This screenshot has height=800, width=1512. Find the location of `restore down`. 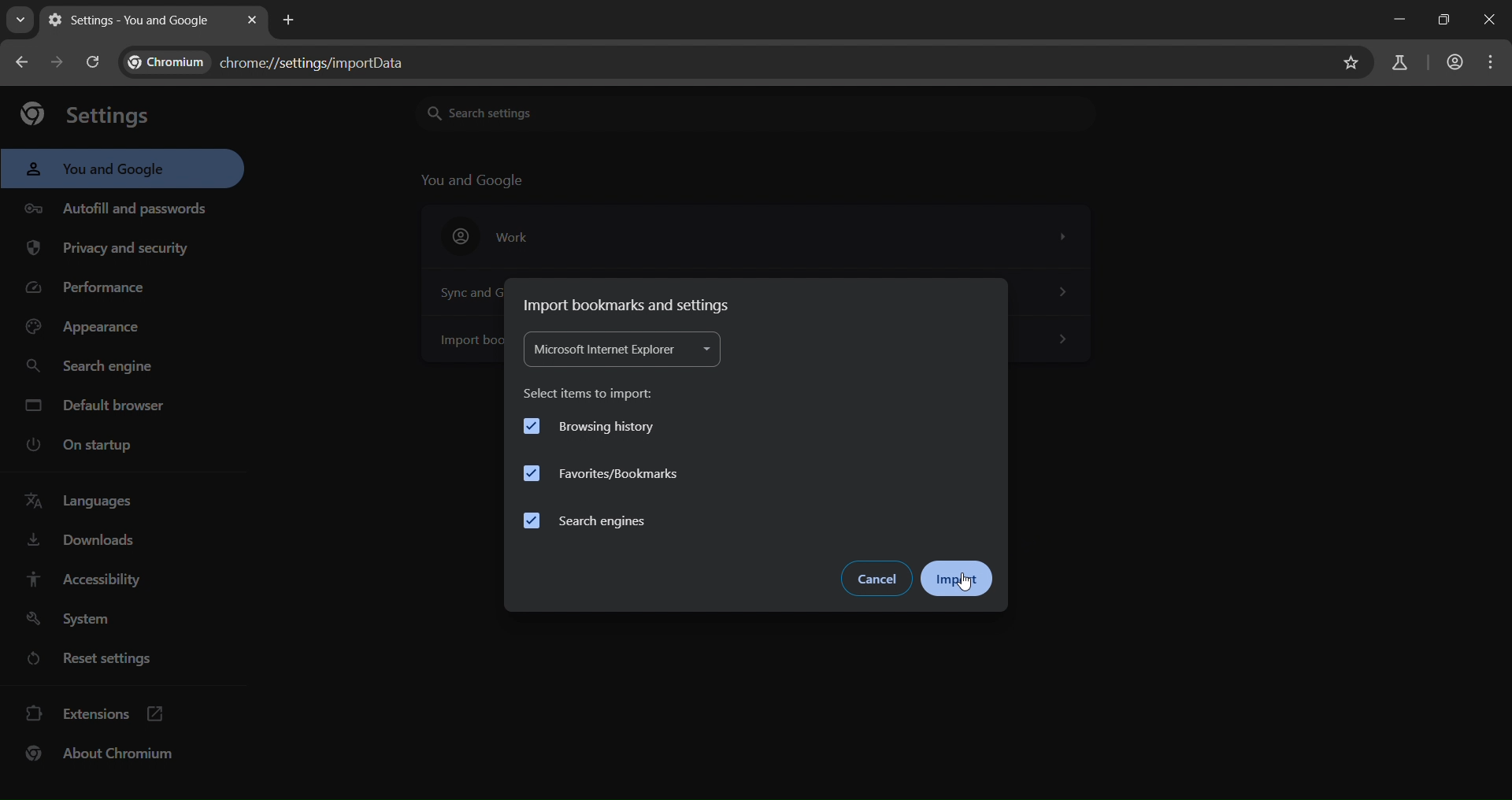

restore down is located at coordinates (1438, 19).